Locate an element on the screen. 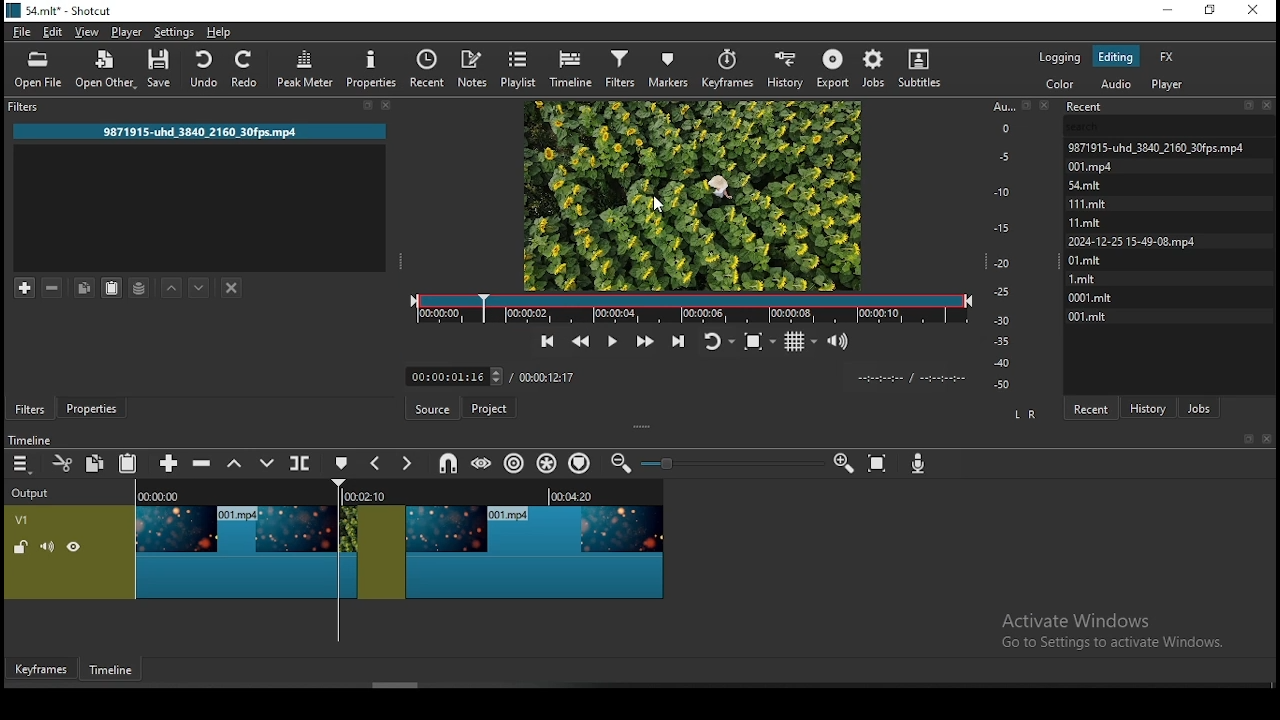  add filter is located at coordinates (25, 287).